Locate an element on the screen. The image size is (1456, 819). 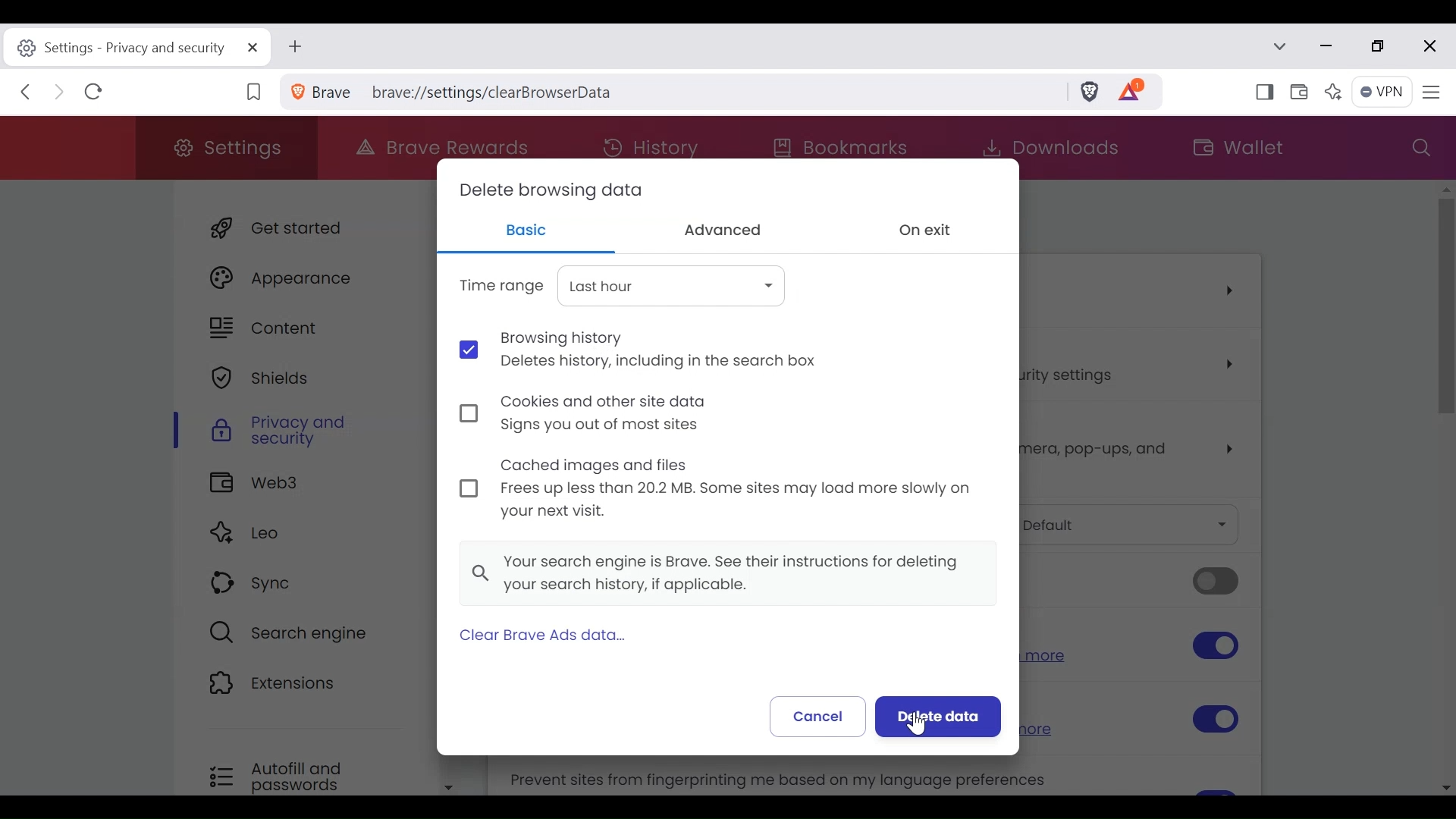
Scroll down is located at coordinates (1447, 786).